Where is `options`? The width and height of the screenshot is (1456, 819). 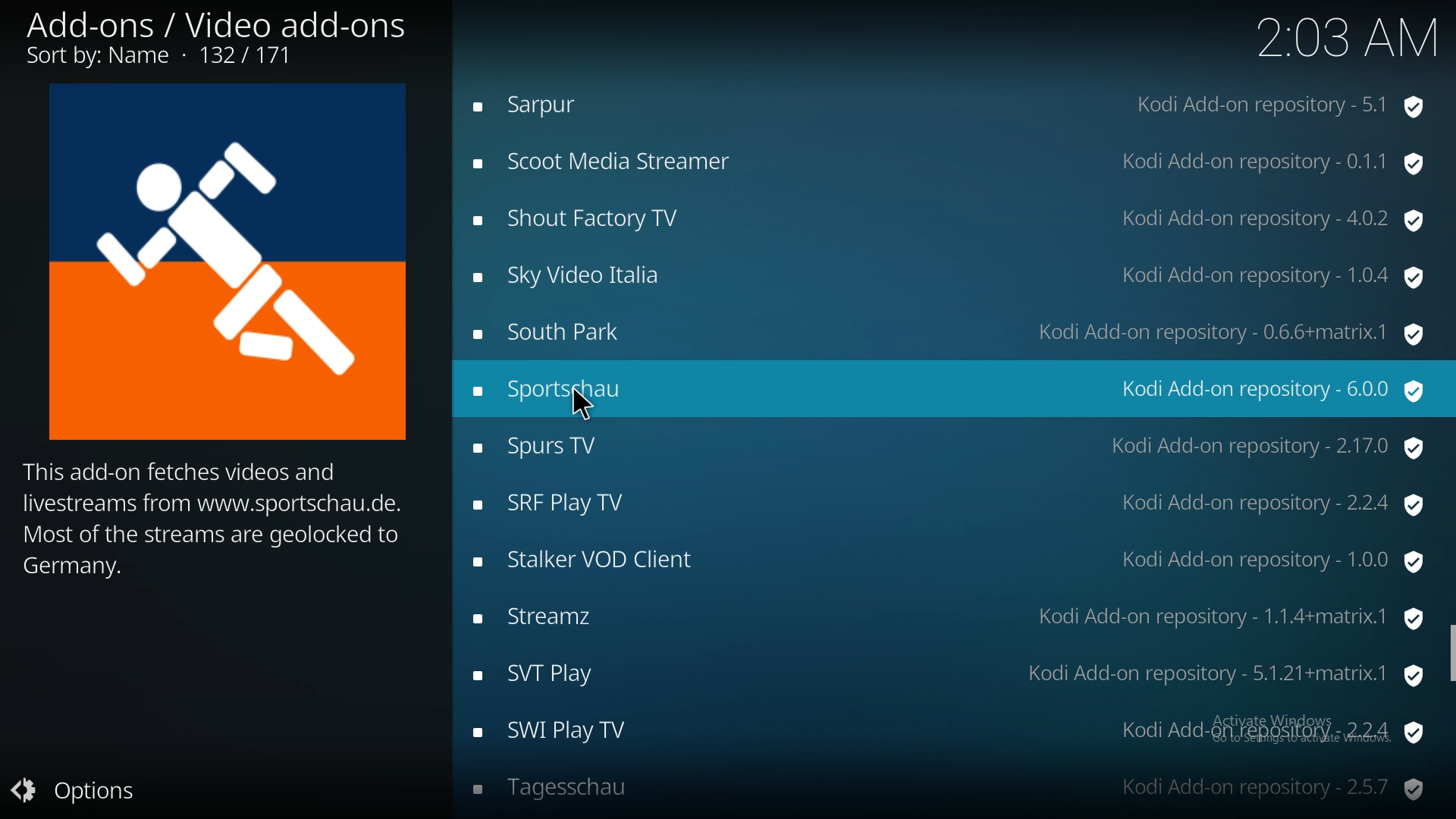
options is located at coordinates (88, 789).